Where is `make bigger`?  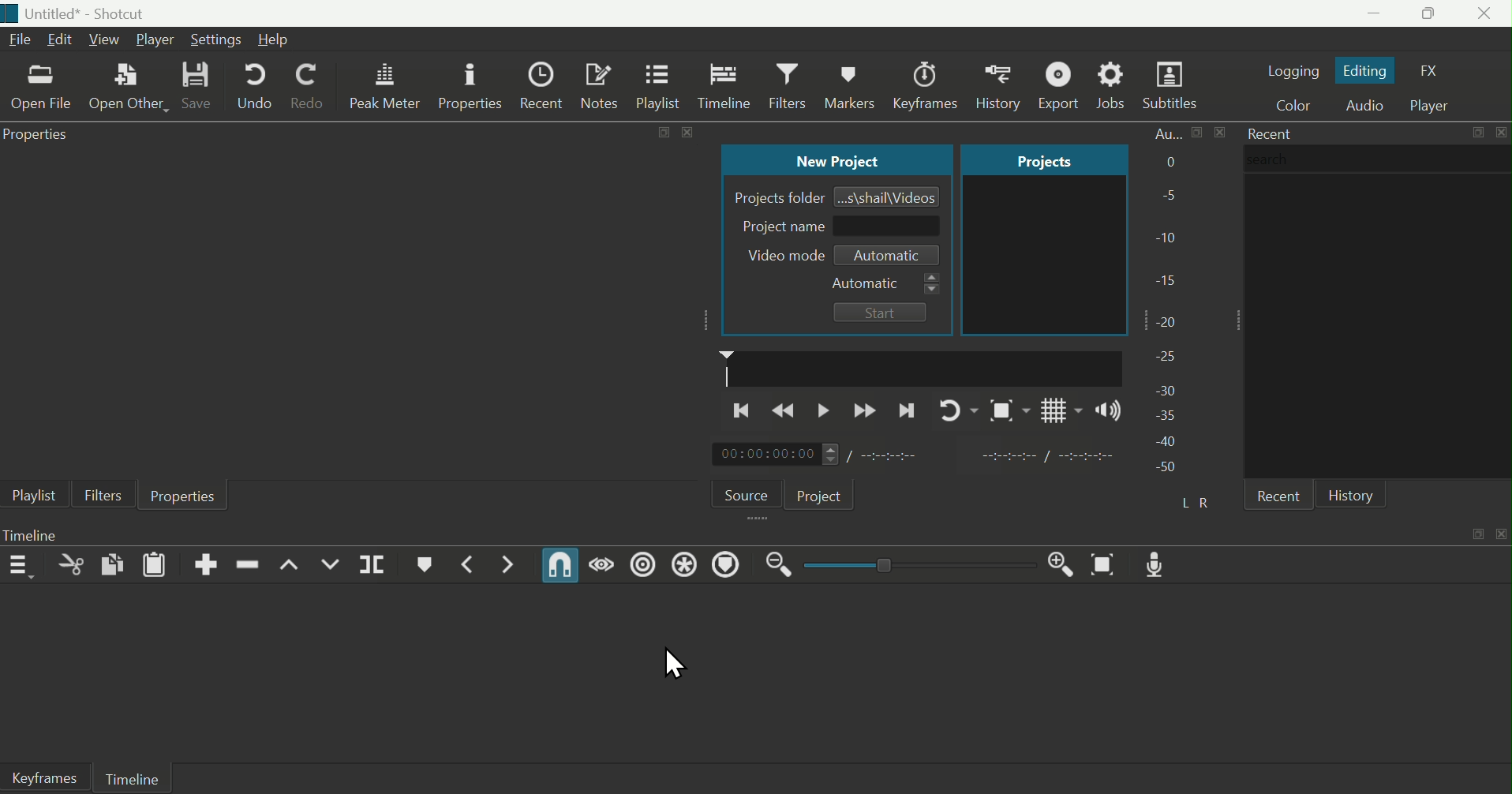
make bigger is located at coordinates (1197, 133).